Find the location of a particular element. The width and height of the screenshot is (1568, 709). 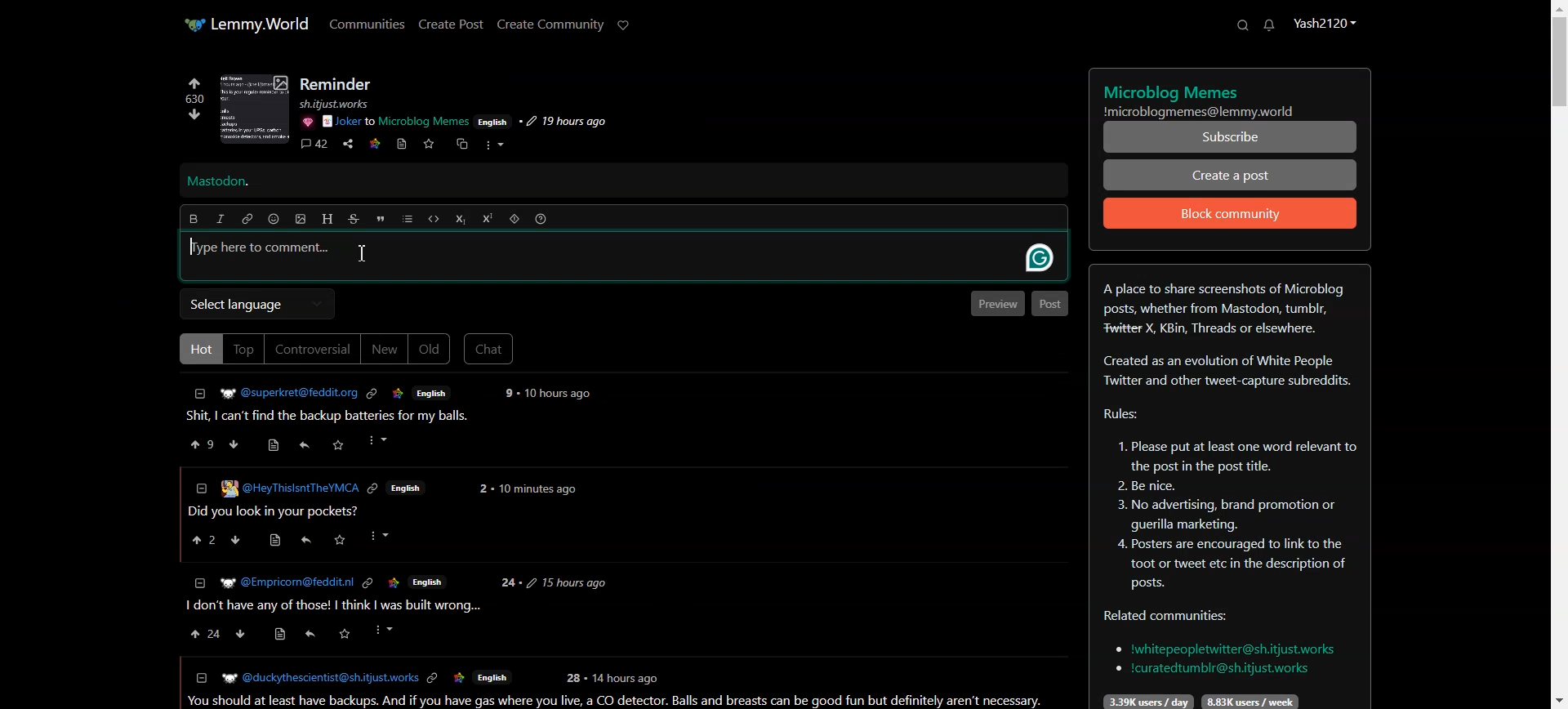

Text Cursor is located at coordinates (363, 253).